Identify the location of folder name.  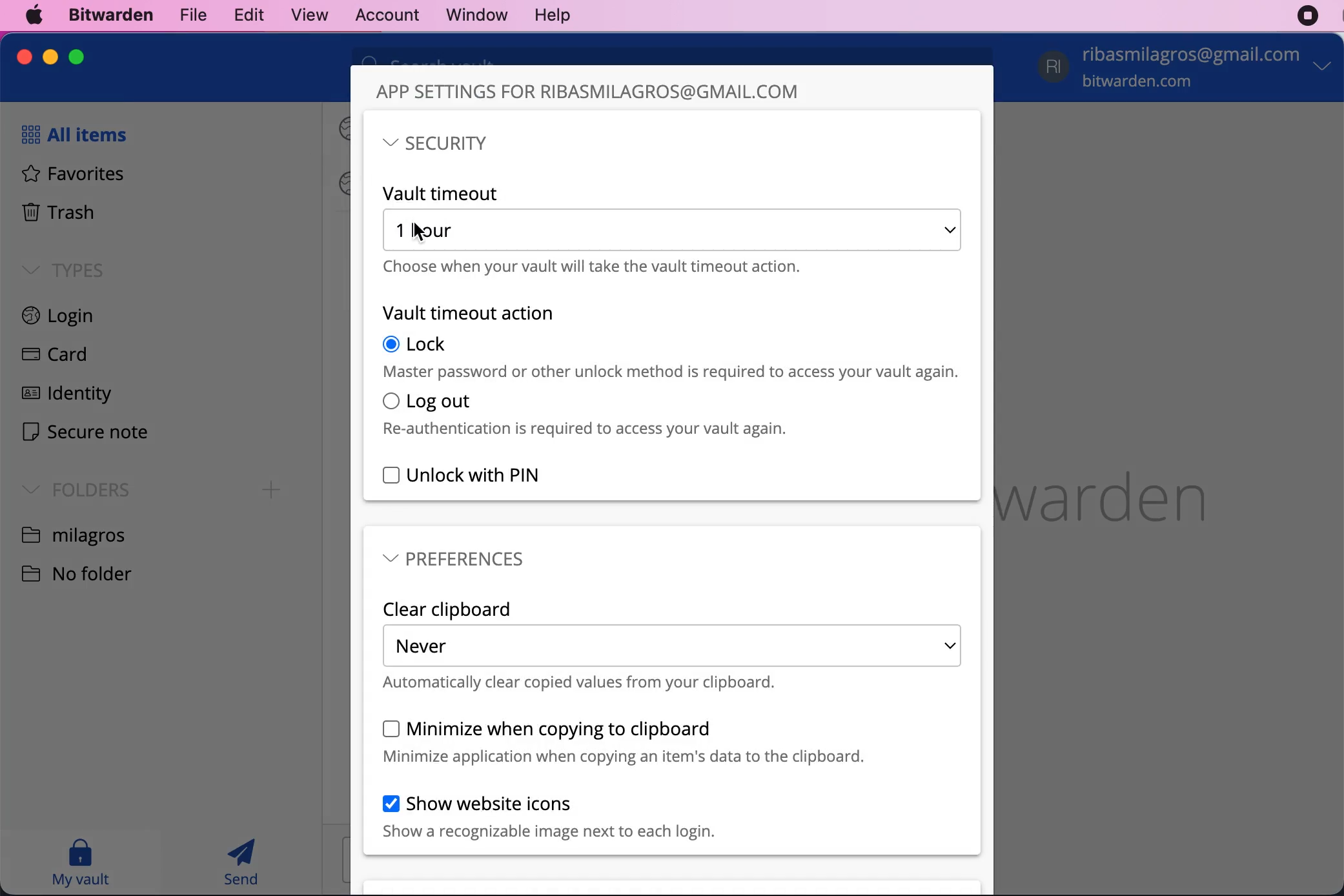
(76, 534).